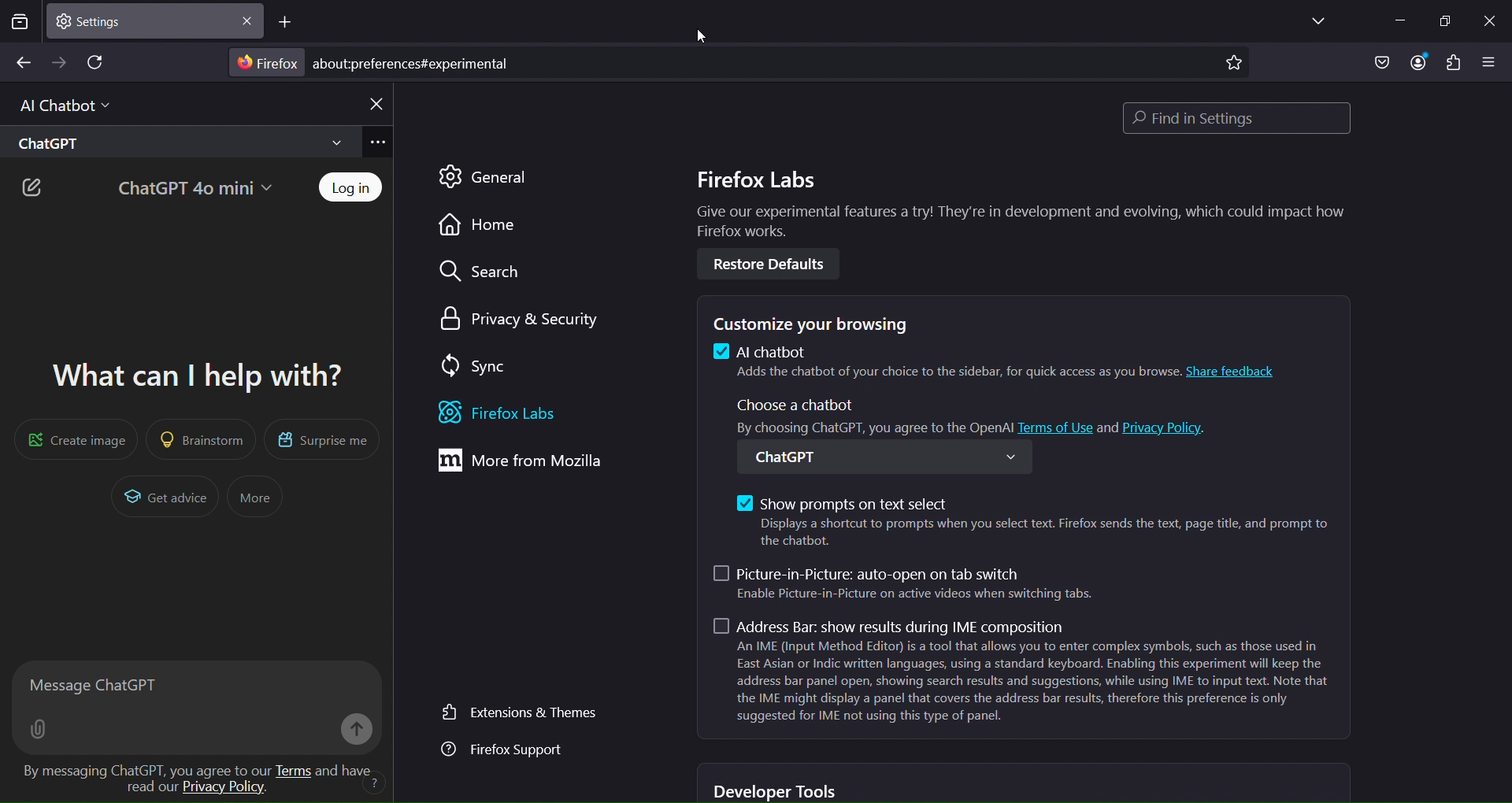 This screenshot has height=803, width=1512. What do you see at coordinates (61, 62) in the screenshot?
I see `go forward one page` at bounding box center [61, 62].